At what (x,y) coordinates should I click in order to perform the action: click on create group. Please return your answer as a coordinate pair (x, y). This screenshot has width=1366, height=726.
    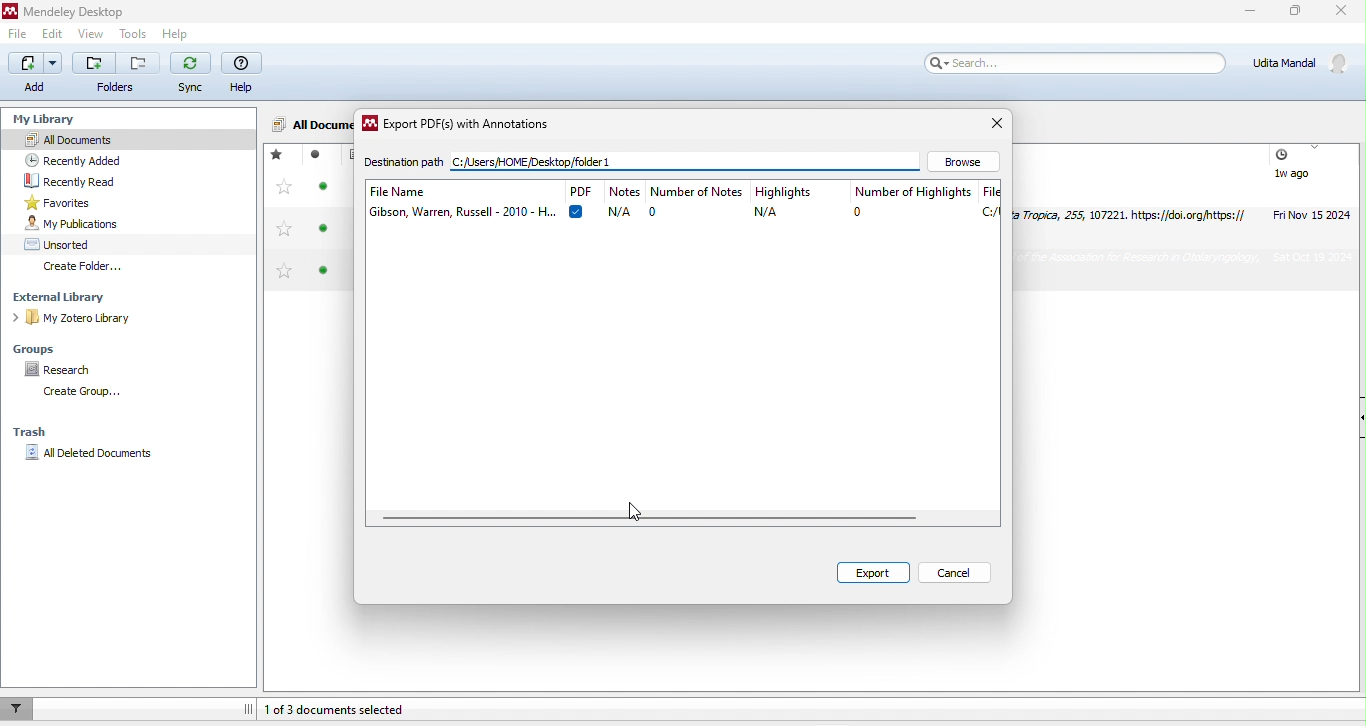
    Looking at the image, I should click on (87, 394).